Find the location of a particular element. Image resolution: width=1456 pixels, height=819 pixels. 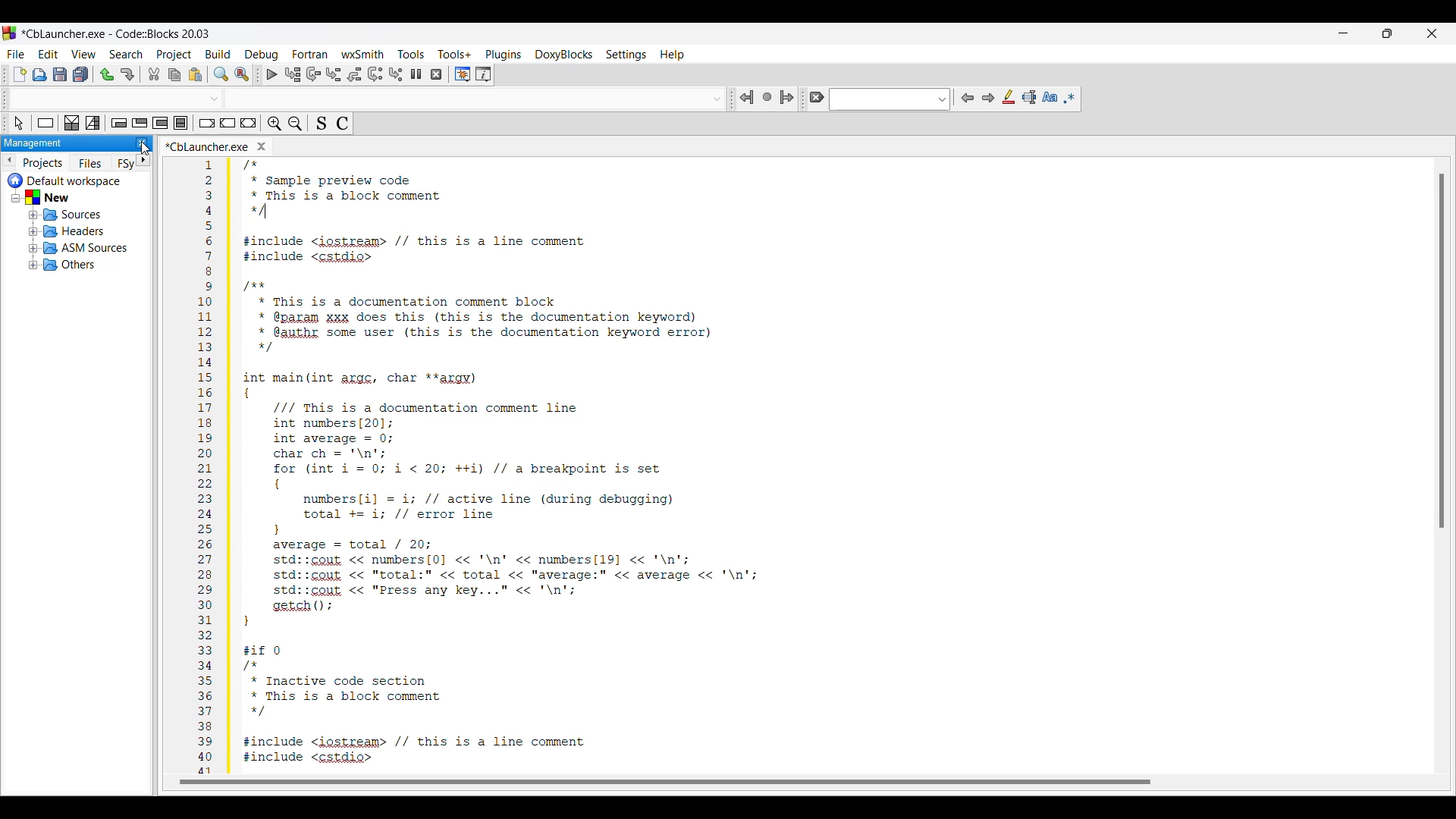

Debug menu is located at coordinates (261, 55).